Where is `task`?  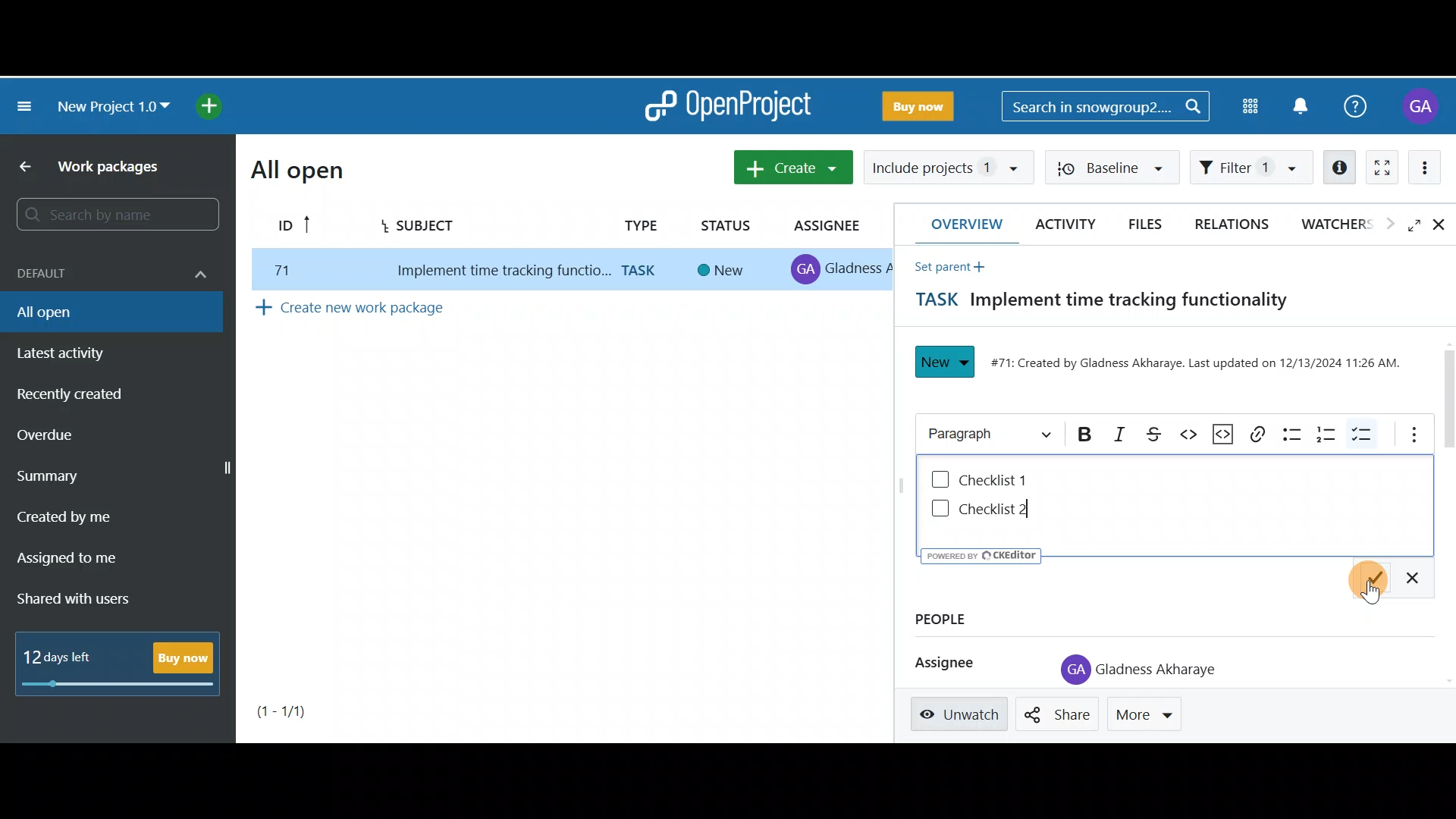 task is located at coordinates (643, 271).